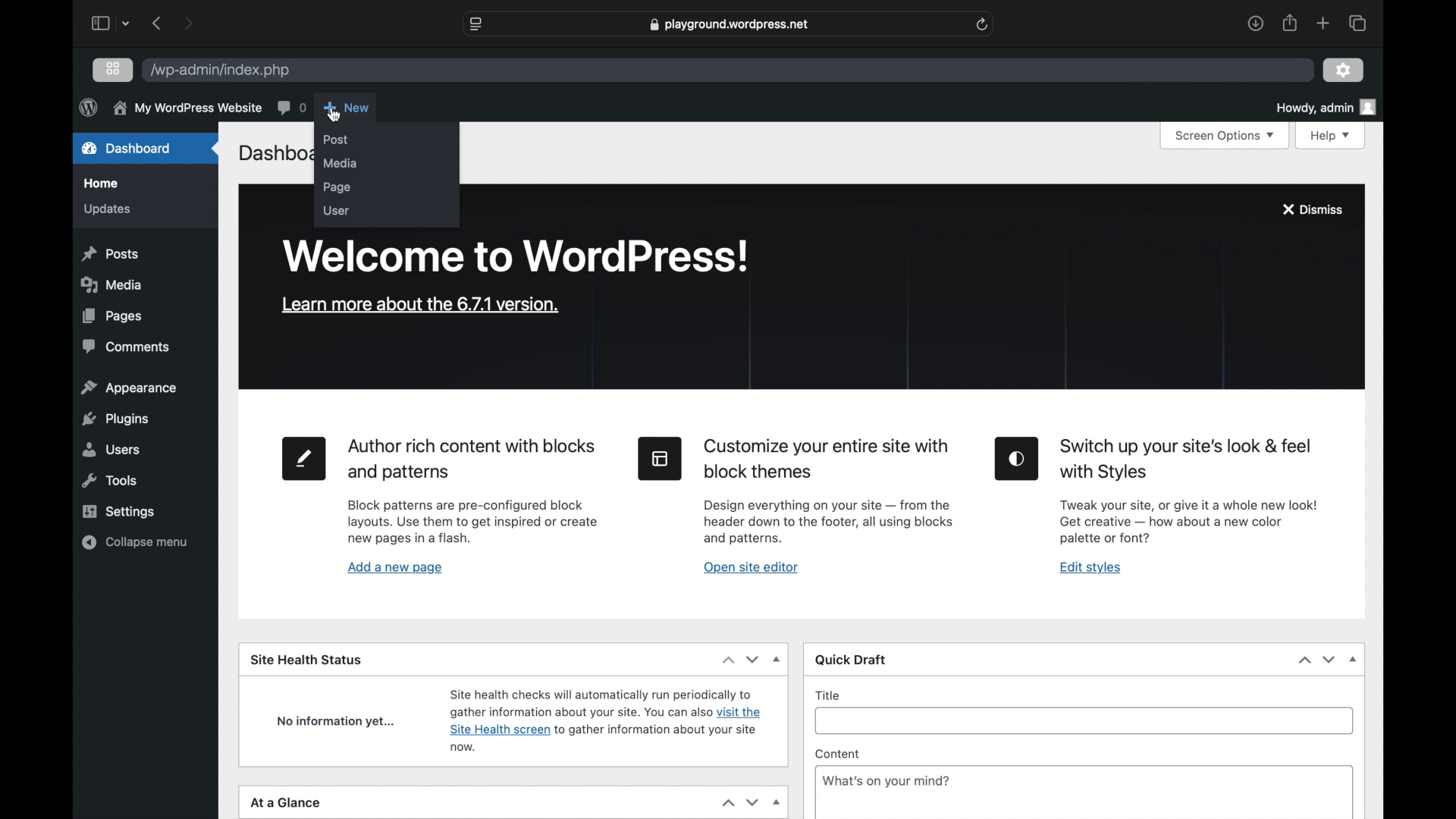 The image size is (1456, 819). What do you see at coordinates (1291, 24) in the screenshot?
I see `share` at bounding box center [1291, 24].